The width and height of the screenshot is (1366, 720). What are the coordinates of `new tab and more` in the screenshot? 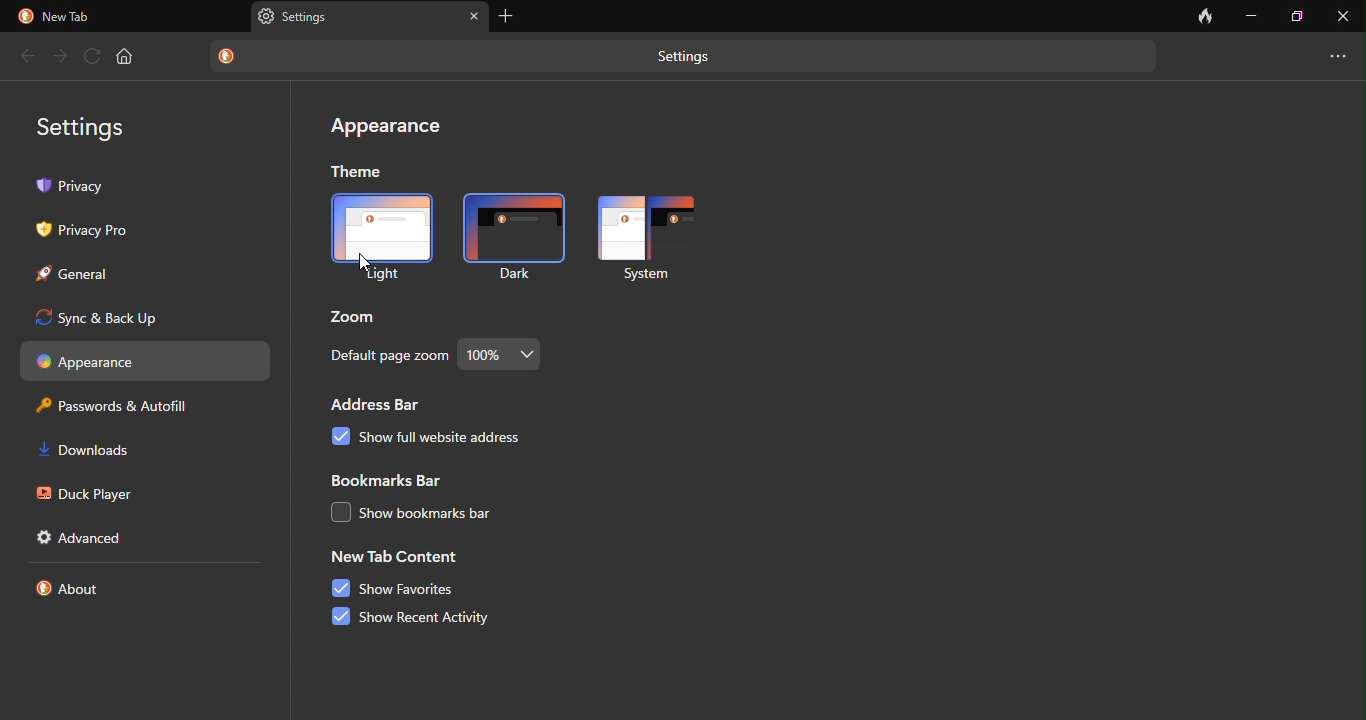 It's located at (1340, 51).